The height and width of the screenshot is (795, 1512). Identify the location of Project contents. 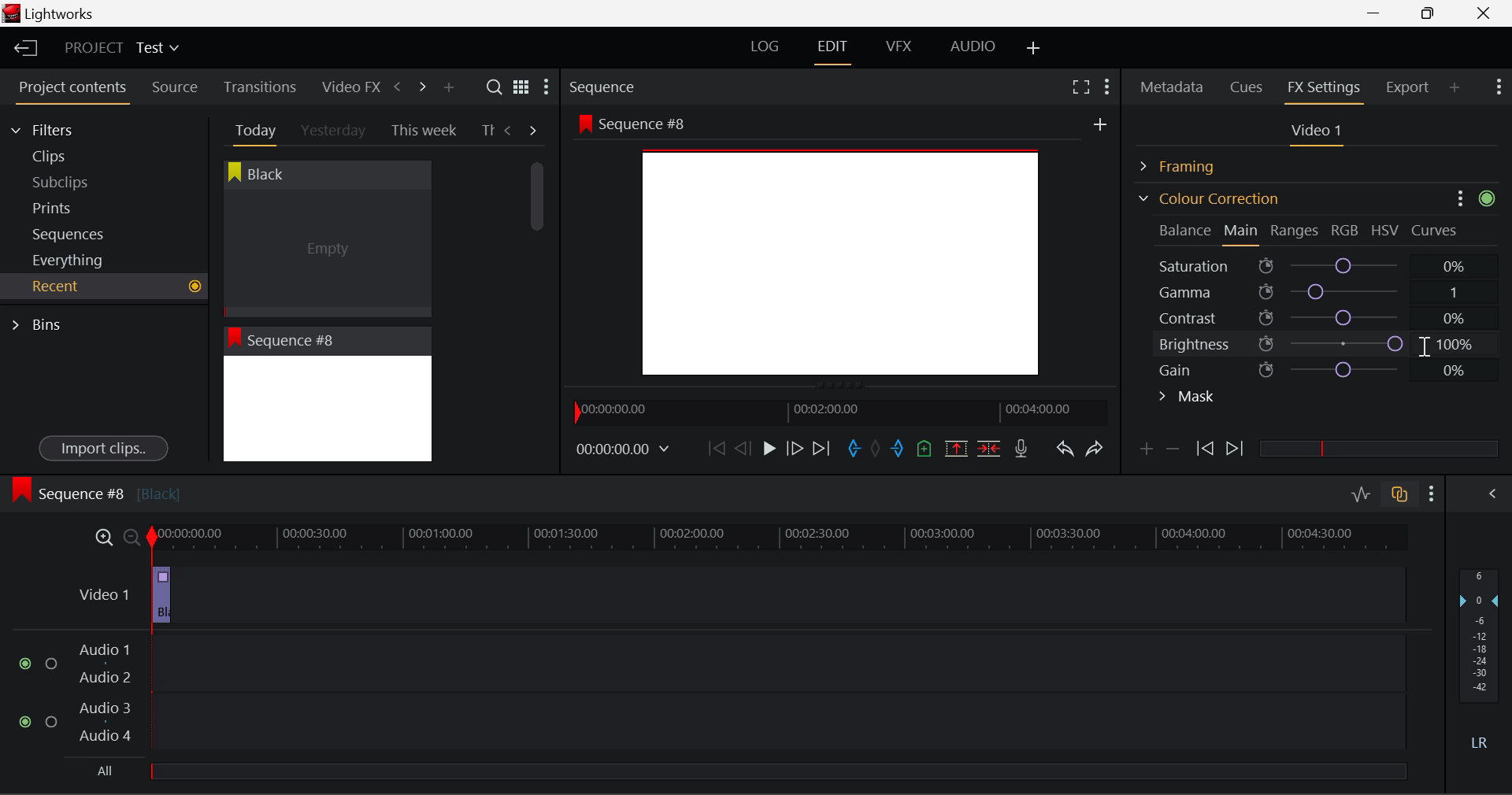
(72, 91).